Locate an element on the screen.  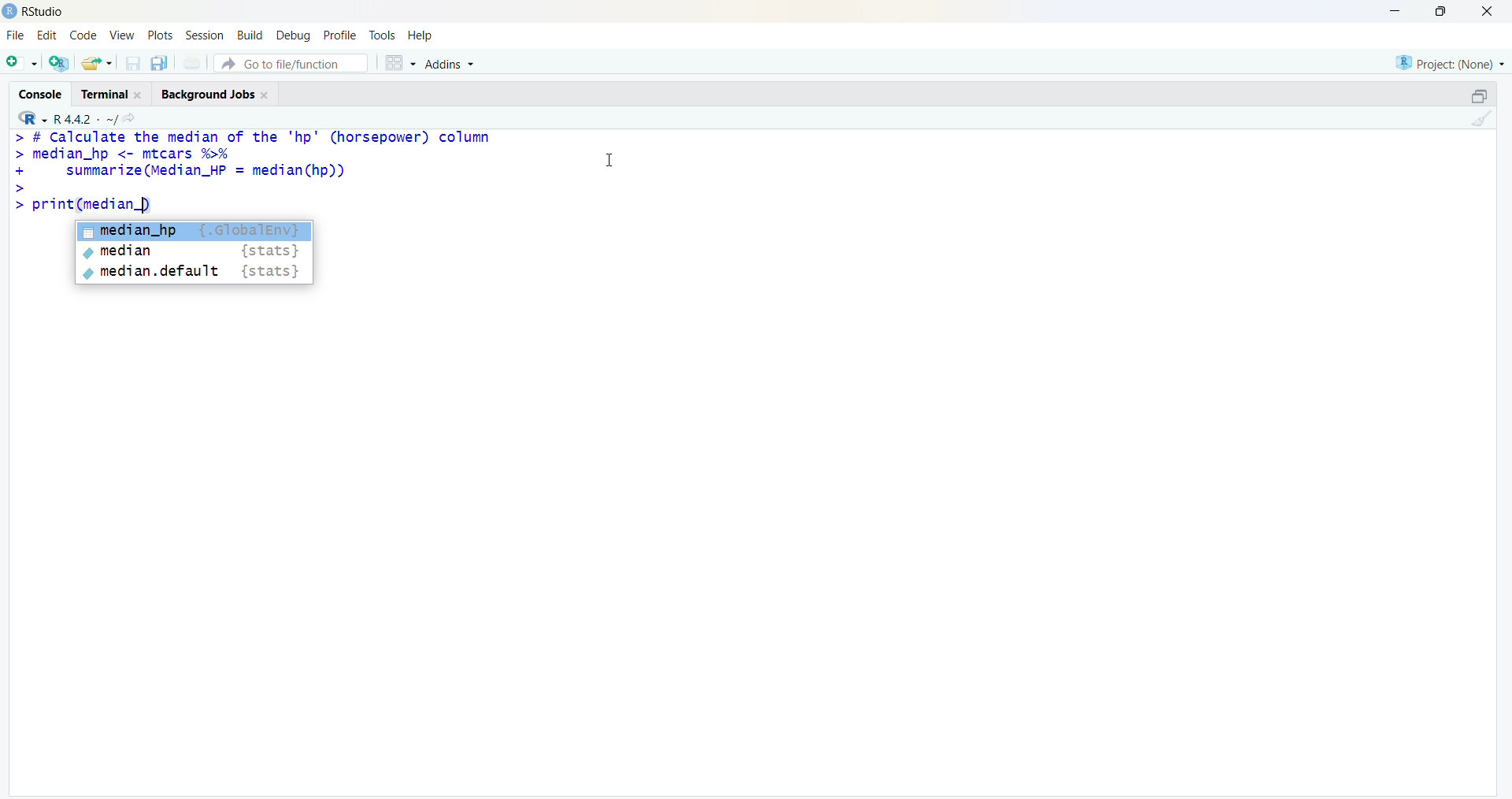
> # Calculate the median of the "hp" (horsepower) column
> median_hp <- mtcars %%

+ summarize (Median_HP = median(hp))

> is located at coordinates (254, 162).